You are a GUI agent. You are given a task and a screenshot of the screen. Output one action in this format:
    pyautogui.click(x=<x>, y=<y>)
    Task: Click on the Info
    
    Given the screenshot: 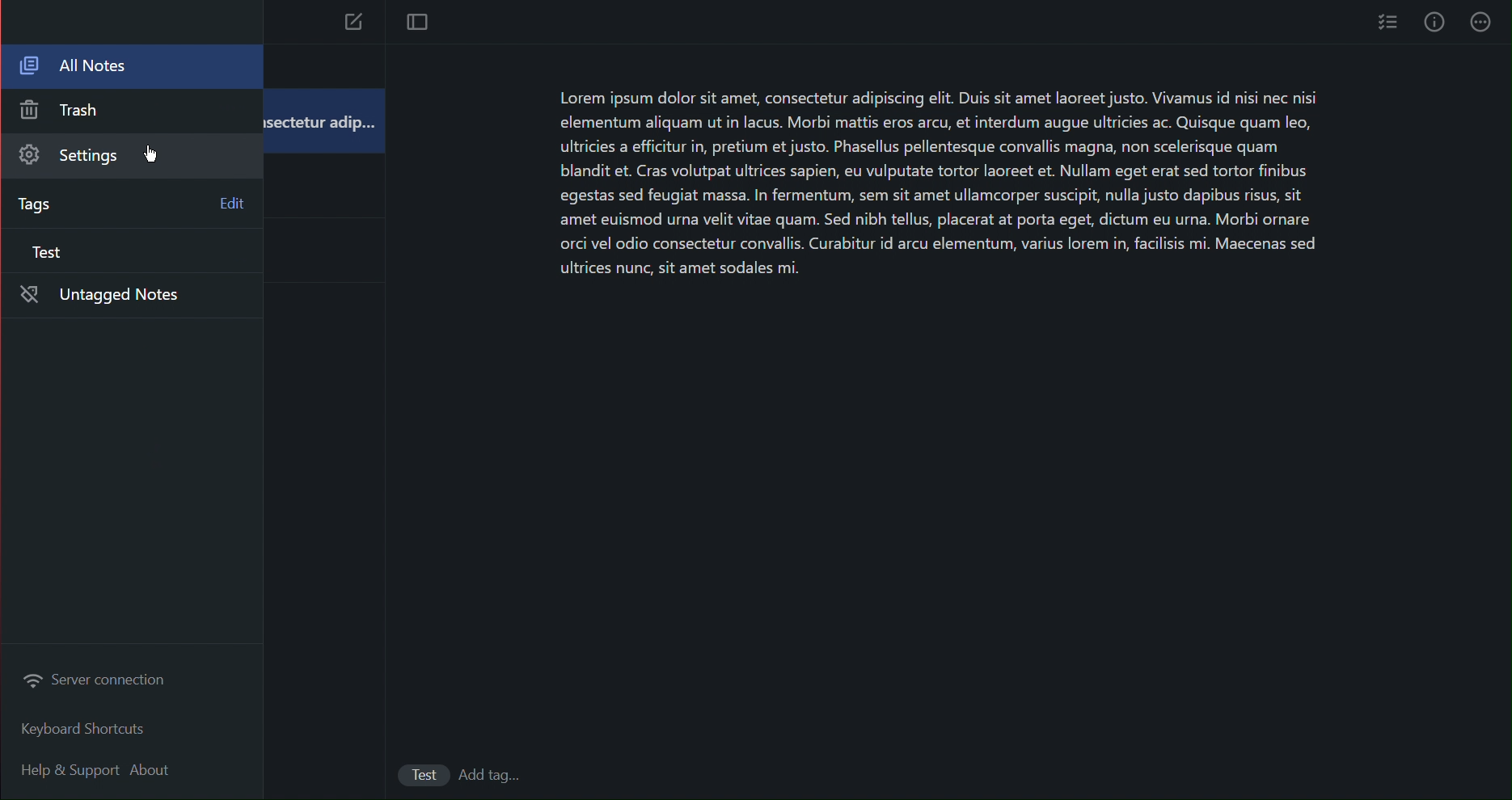 What is the action you would take?
    pyautogui.click(x=1435, y=23)
    